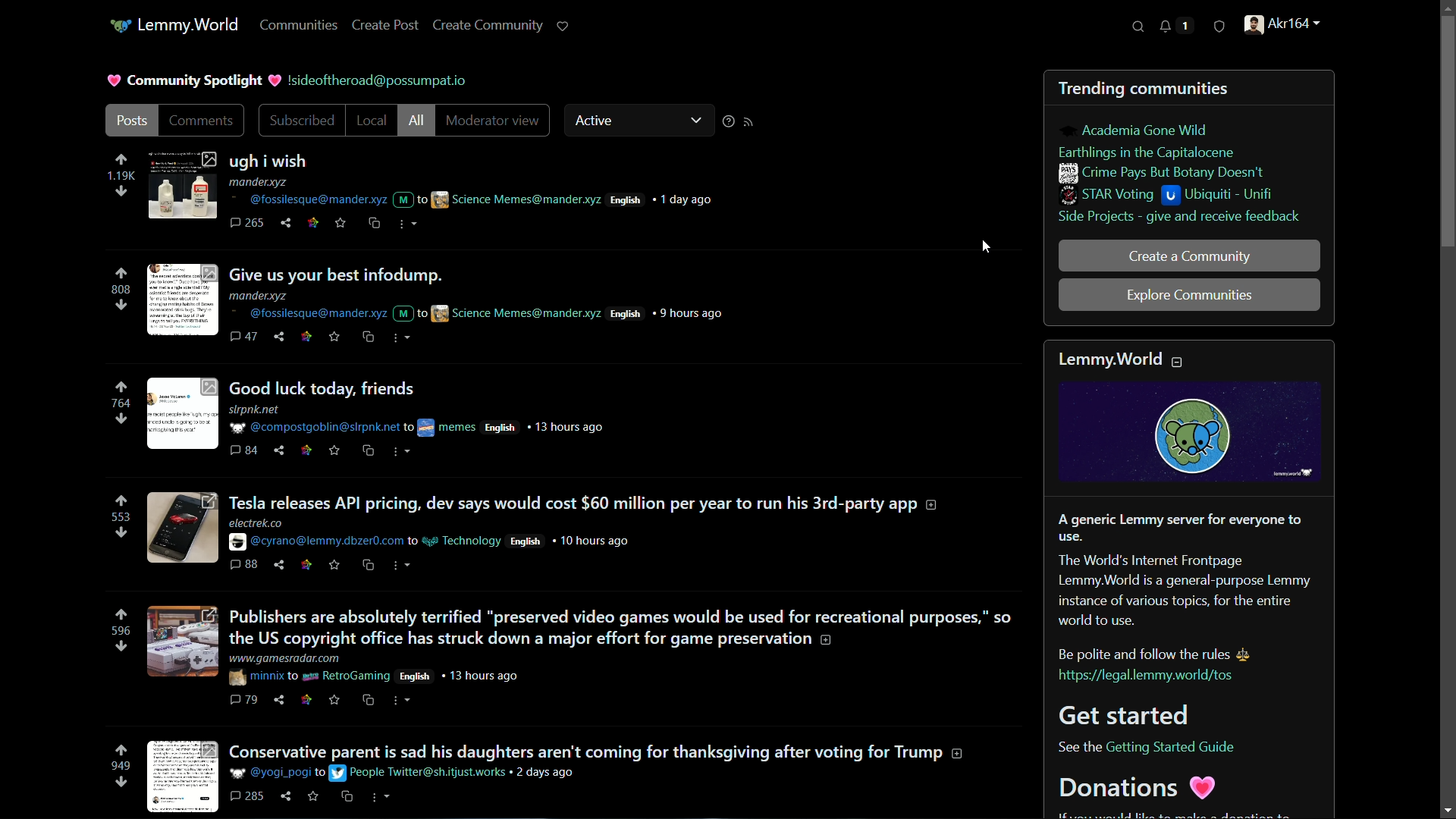 The height and width of the screenshot is (819, 1456). What do you see at coordinates (447, 428) in the screenshot?
I see `memes` at bounding box center [447, 428].